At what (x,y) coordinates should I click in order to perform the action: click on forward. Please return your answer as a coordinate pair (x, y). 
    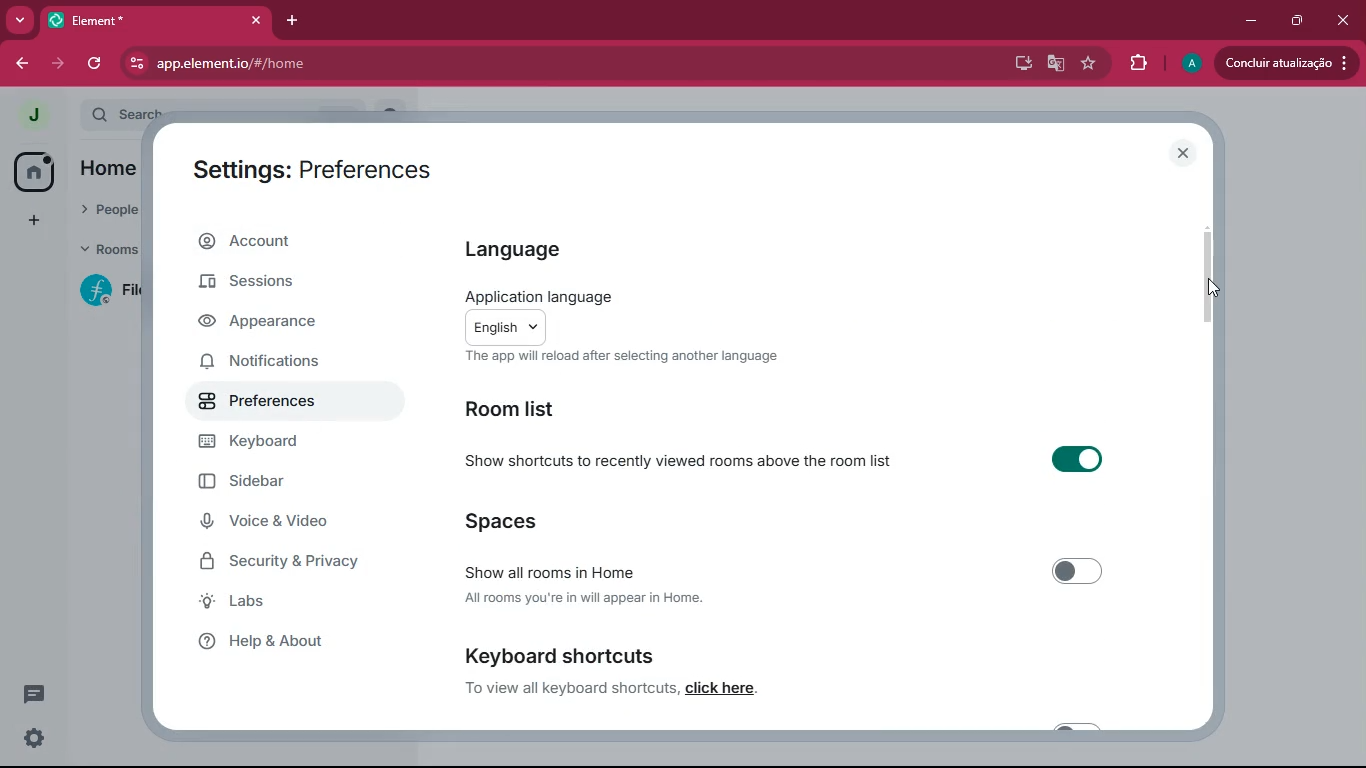
    Looking at the image, I should click on (56, 64).